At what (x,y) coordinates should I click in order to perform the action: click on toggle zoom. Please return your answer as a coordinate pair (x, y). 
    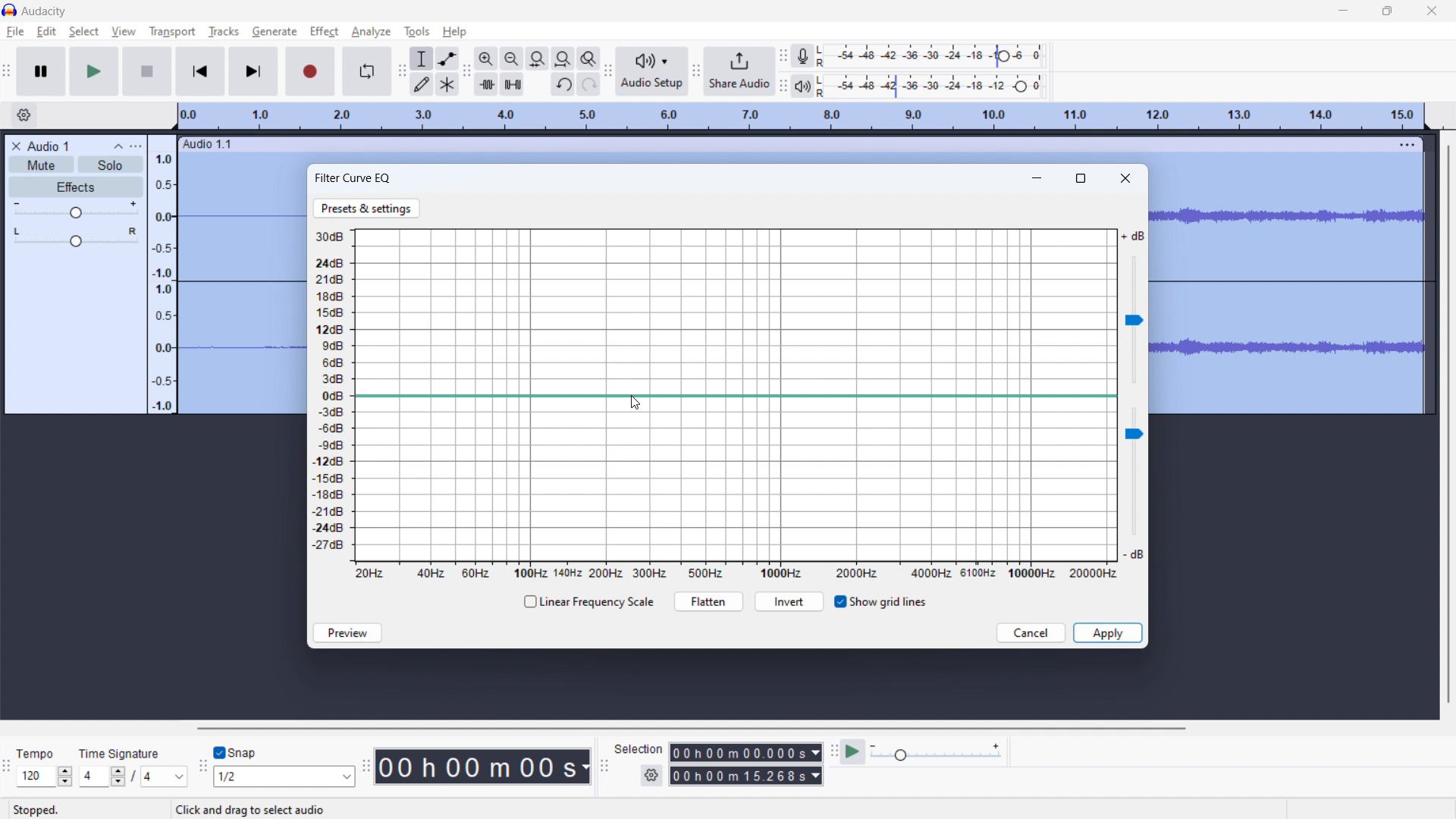
    Looking at the image, I should click on (589, 59).